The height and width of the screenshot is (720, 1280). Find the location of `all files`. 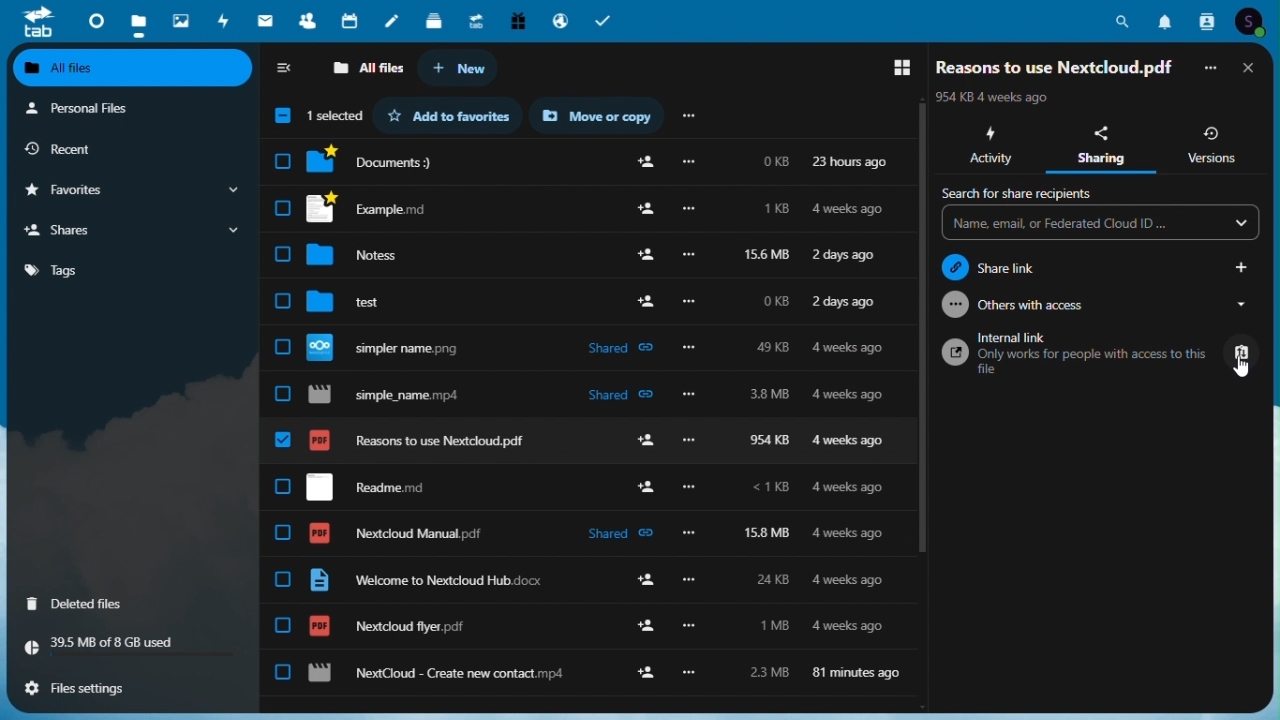

all files is located at coordinates (370, 68).